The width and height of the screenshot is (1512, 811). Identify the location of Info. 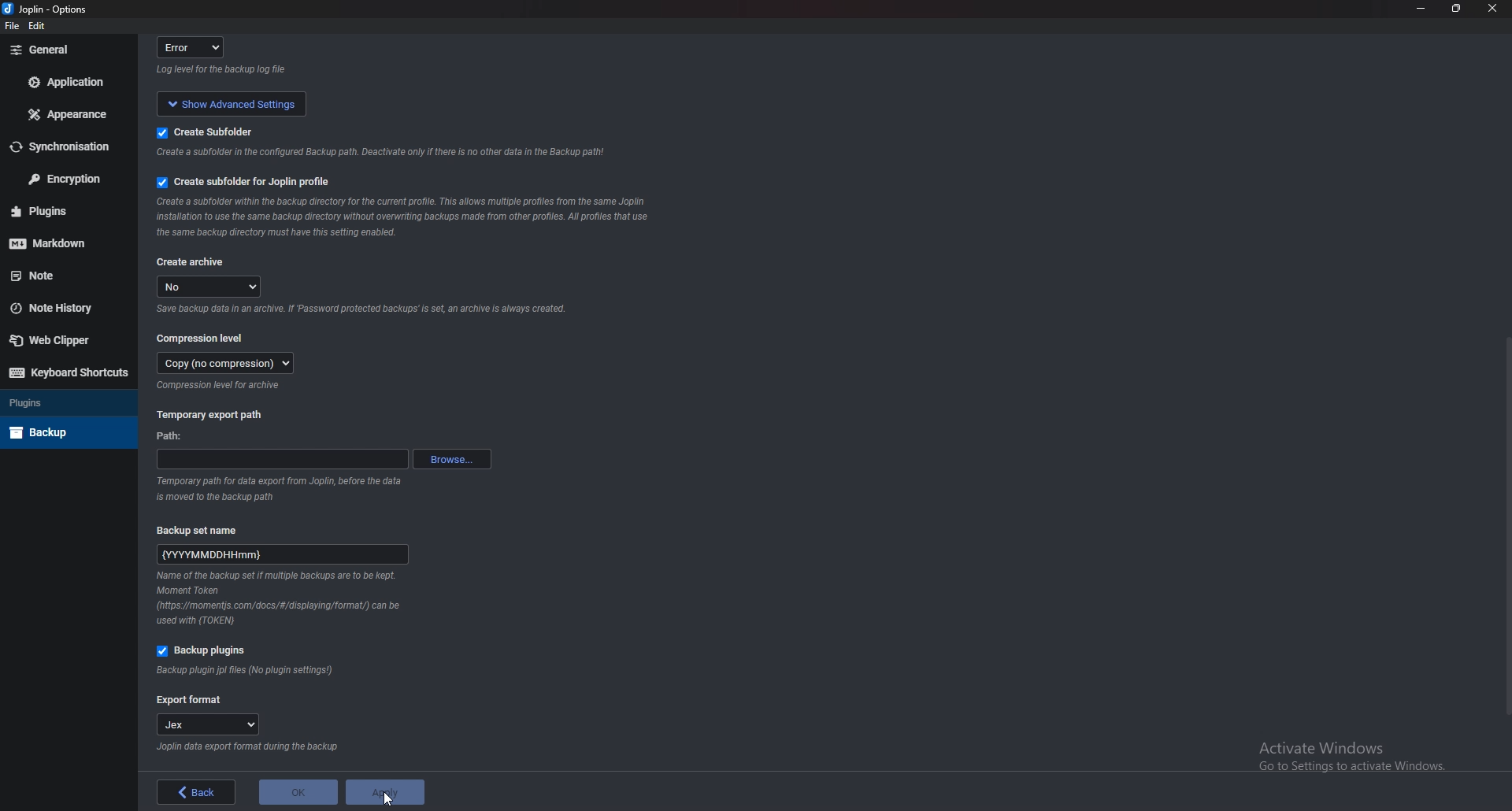
(281, 599).